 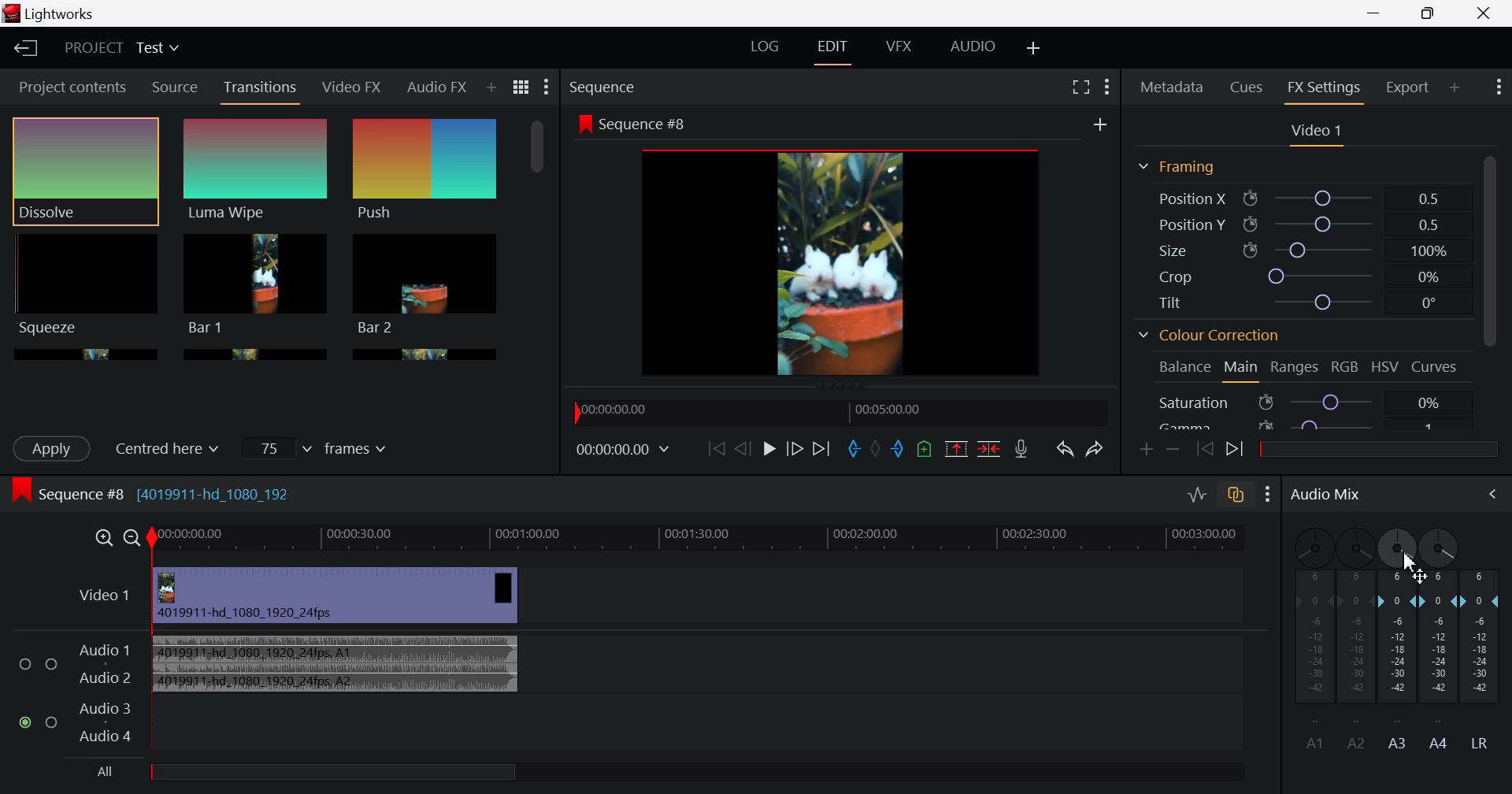 What do you see at coordinates (899, 50) in the screenshot?
I see `VFX Layout` at bounding box center [899, 50].